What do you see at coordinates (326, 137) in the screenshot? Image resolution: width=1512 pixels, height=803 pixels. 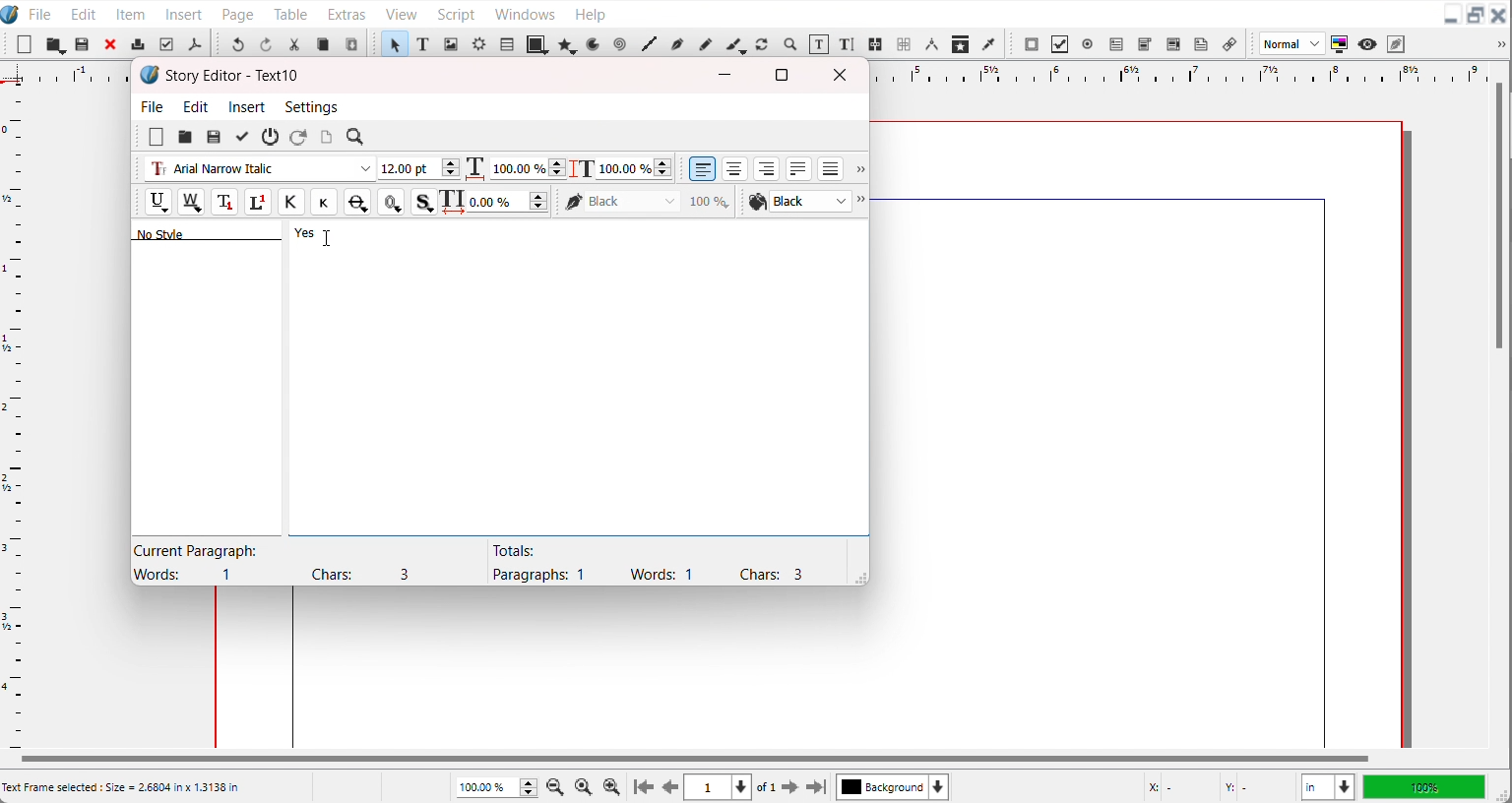 I see `Update text frame` at bounding box center [326, 137].